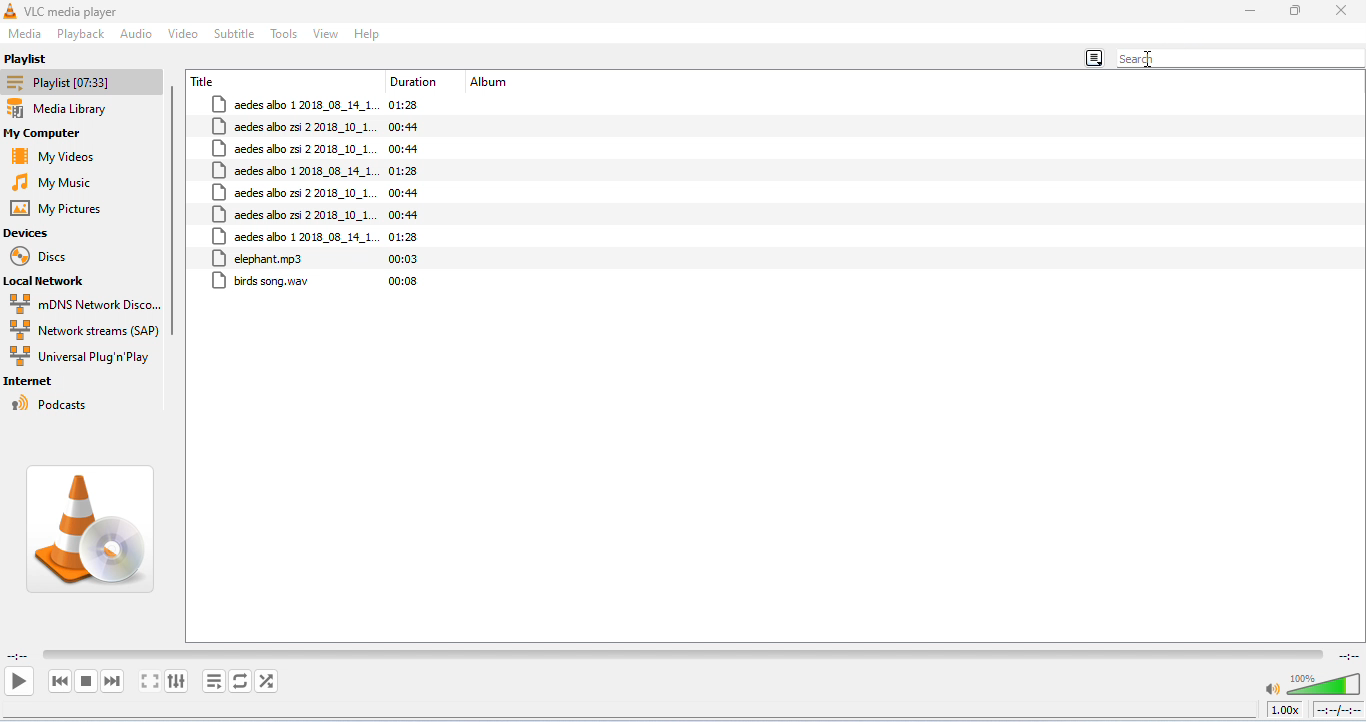  What do you see at coordinates (26, 34) in the screenshot?
I see `` at bounding box center [26, 34].